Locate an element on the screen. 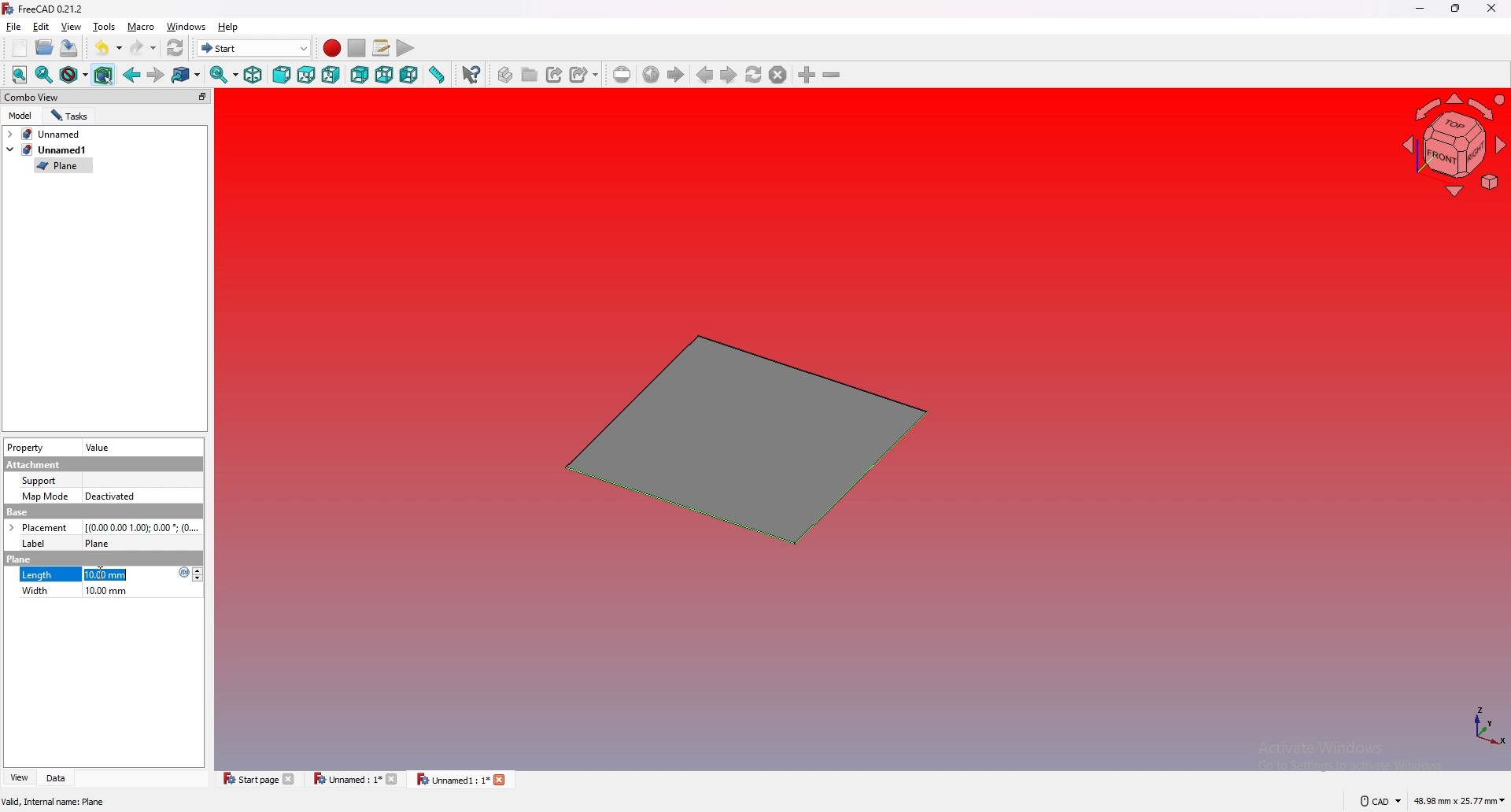  go to website is located at coordinates (651, 76).